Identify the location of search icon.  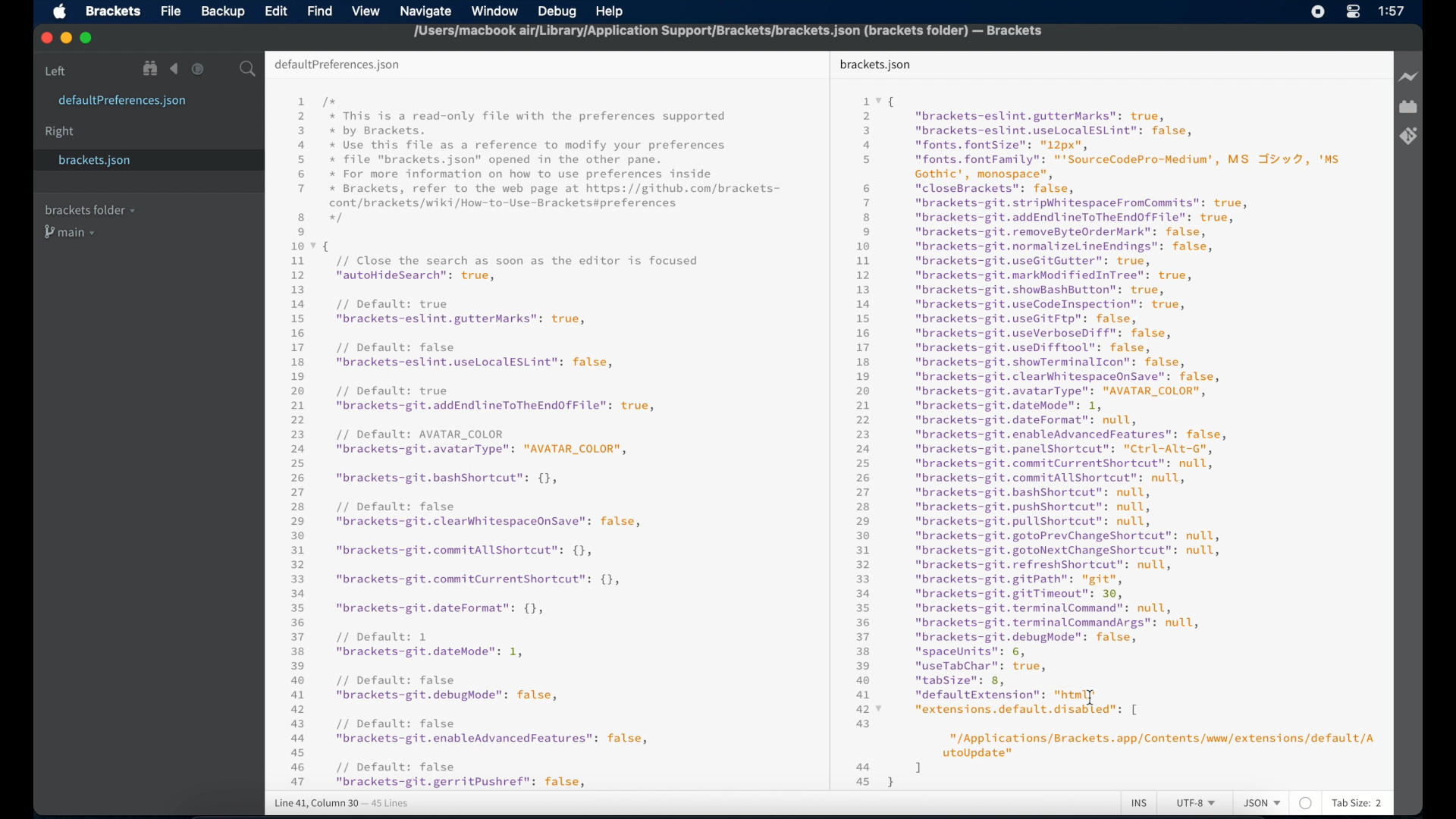
(250, 70).